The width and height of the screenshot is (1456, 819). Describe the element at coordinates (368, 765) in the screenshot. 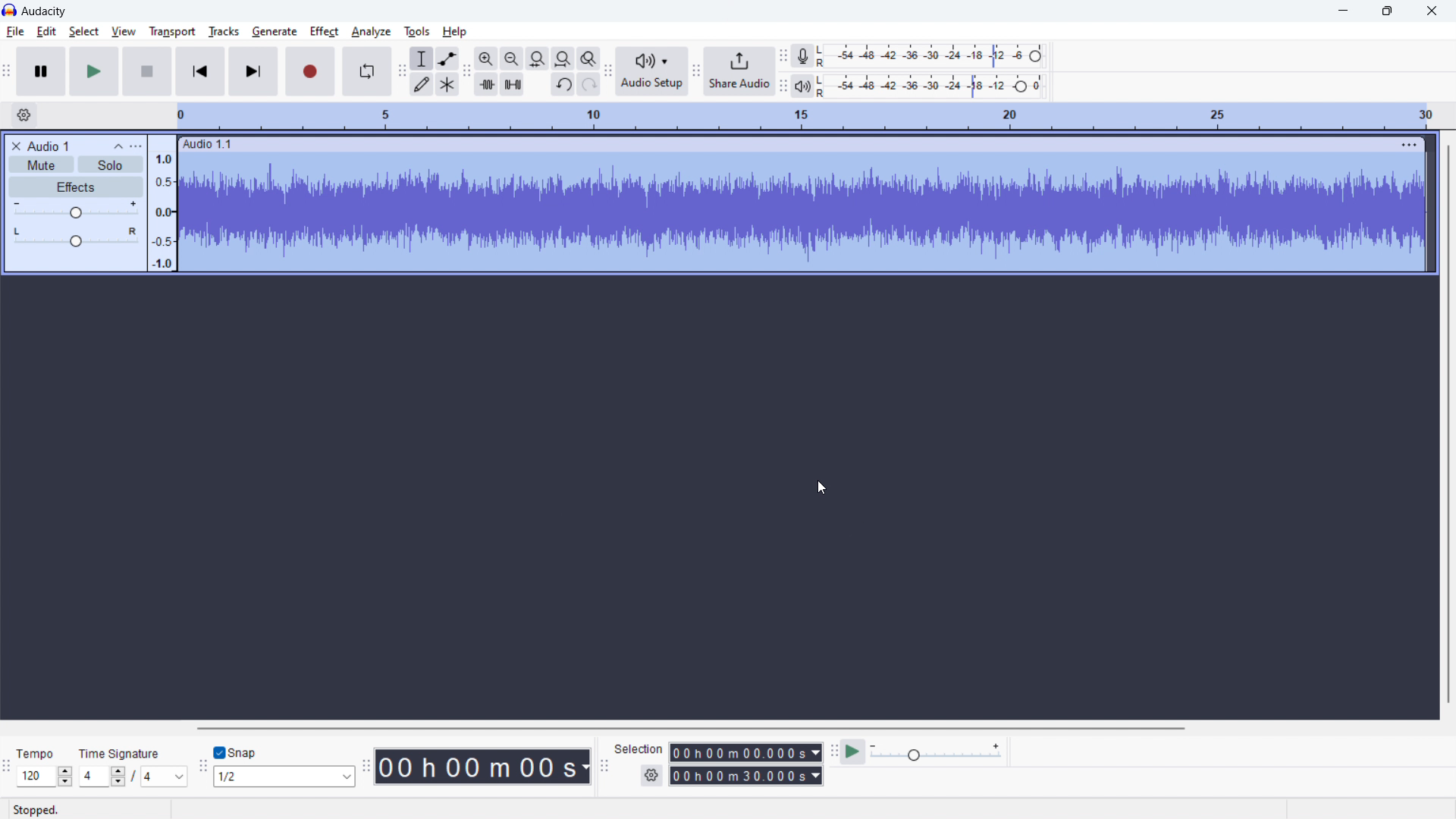

I see `time toolbar` at that location.